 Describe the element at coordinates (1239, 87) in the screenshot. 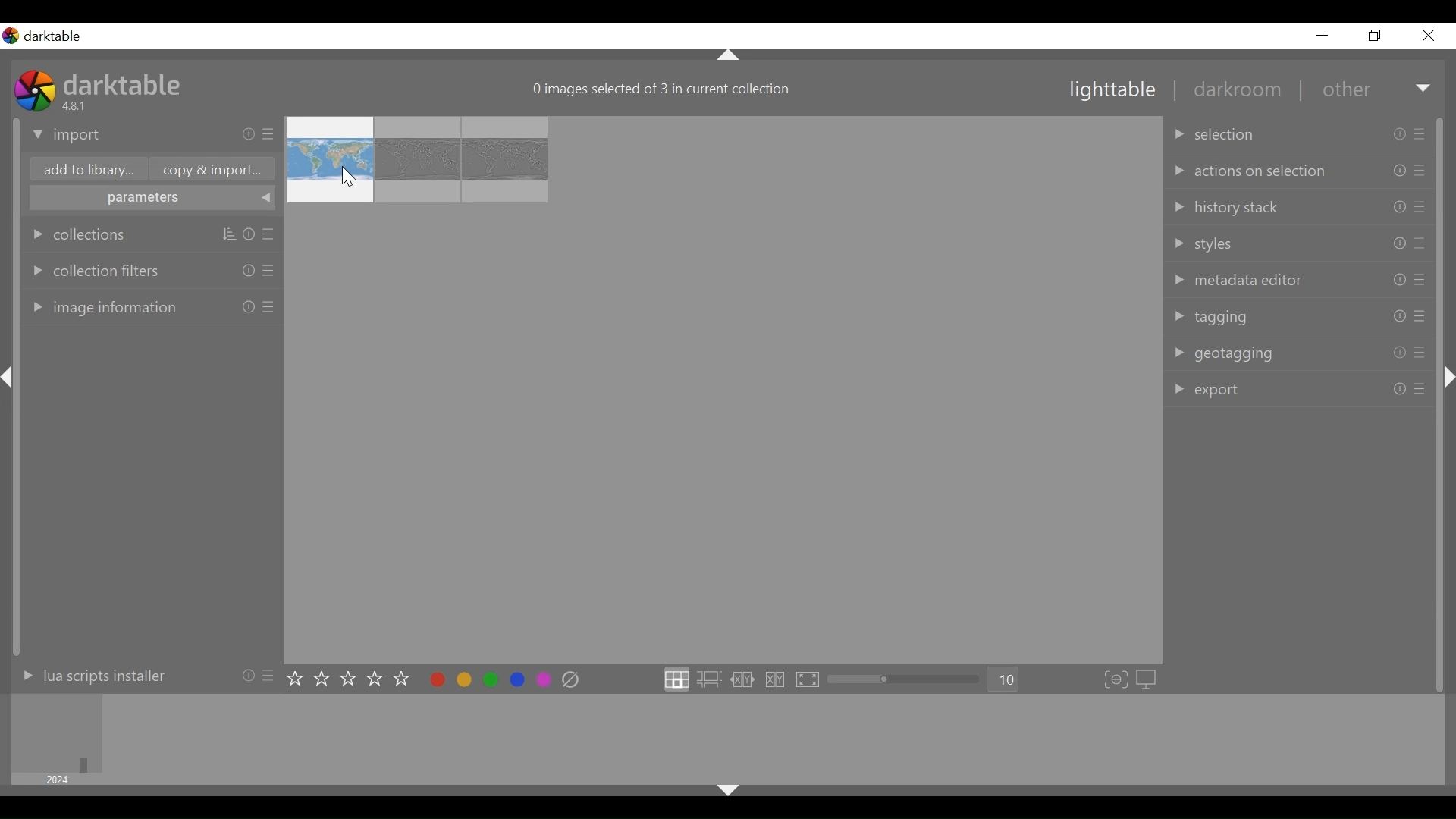

I see `darkroom` at that location.